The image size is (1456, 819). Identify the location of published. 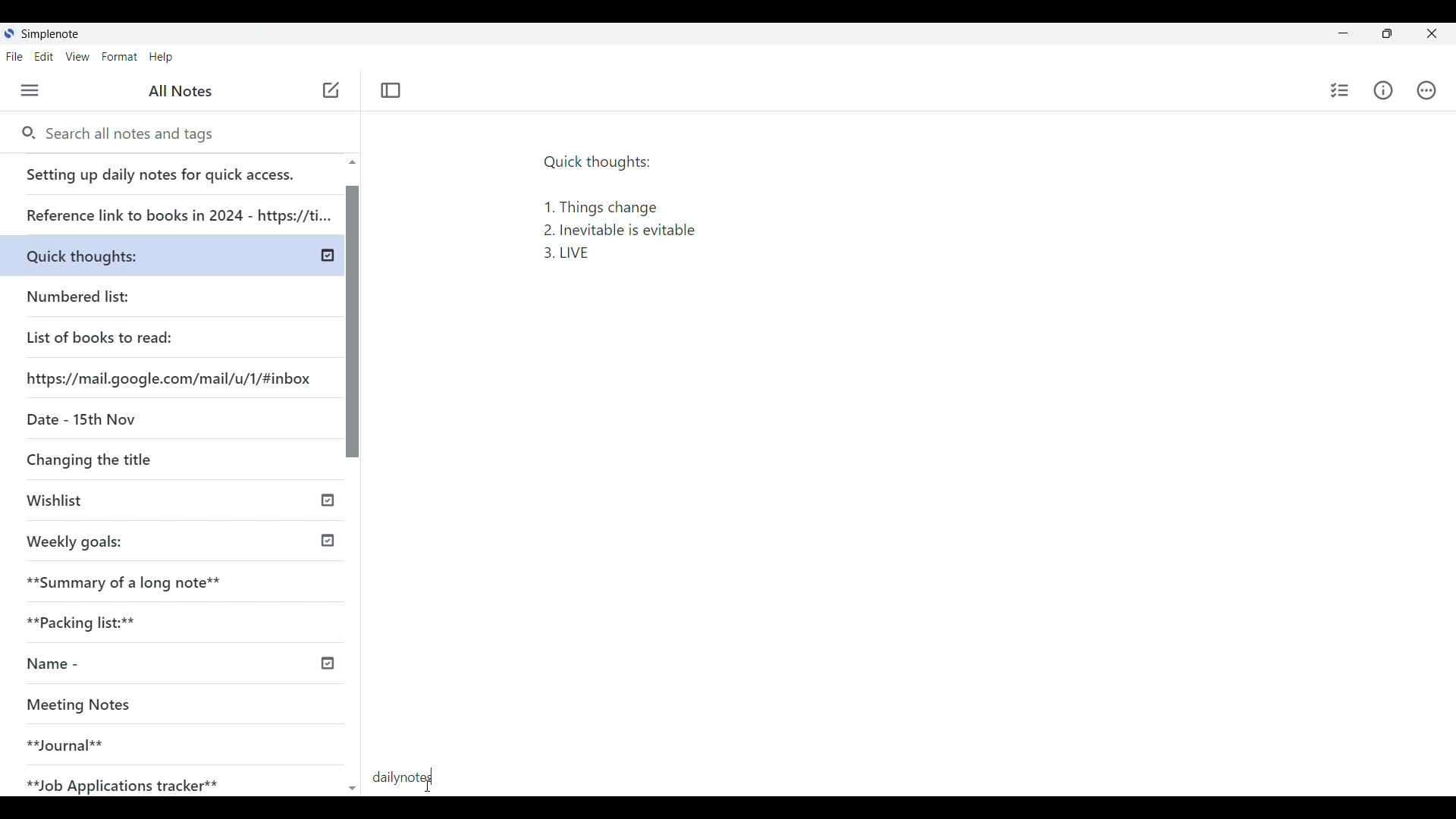
(328, 541).